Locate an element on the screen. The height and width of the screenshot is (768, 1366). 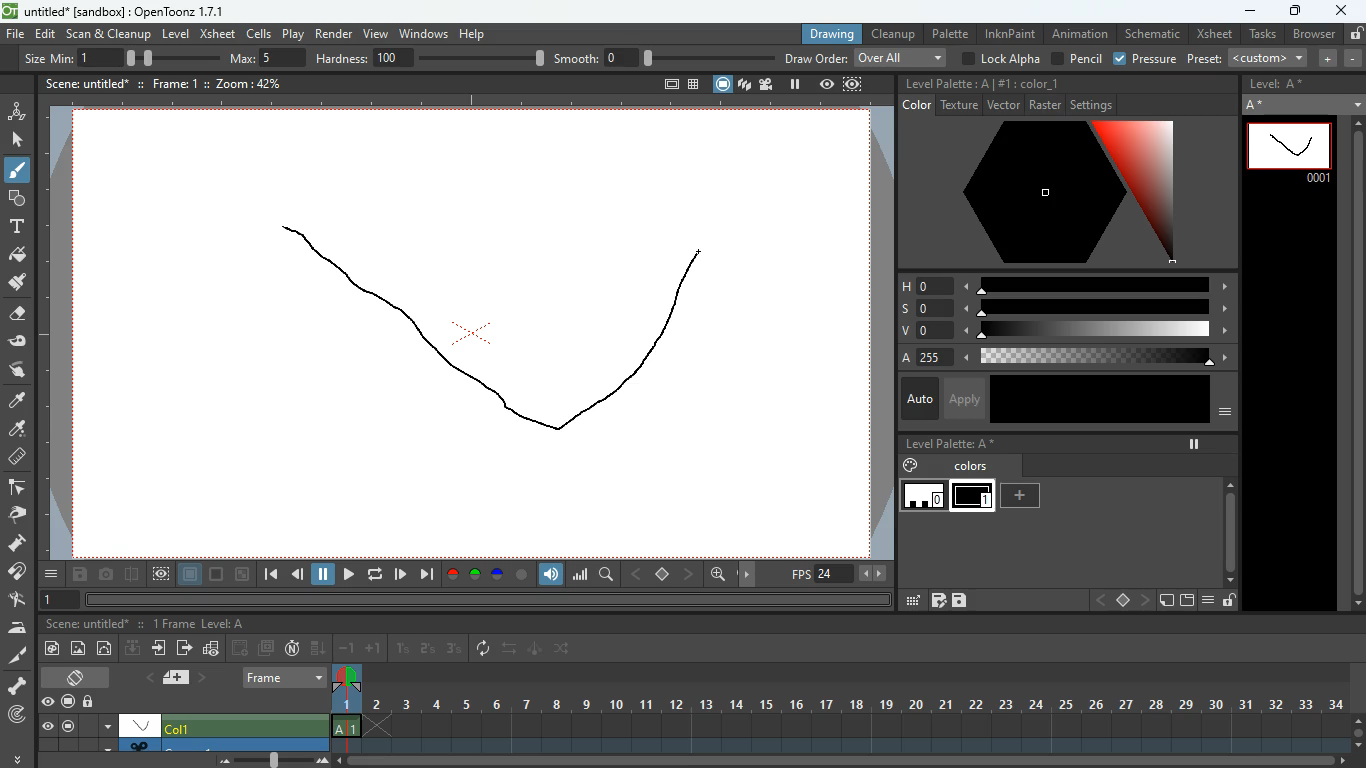
draw order is located at coordinates (866, 57).